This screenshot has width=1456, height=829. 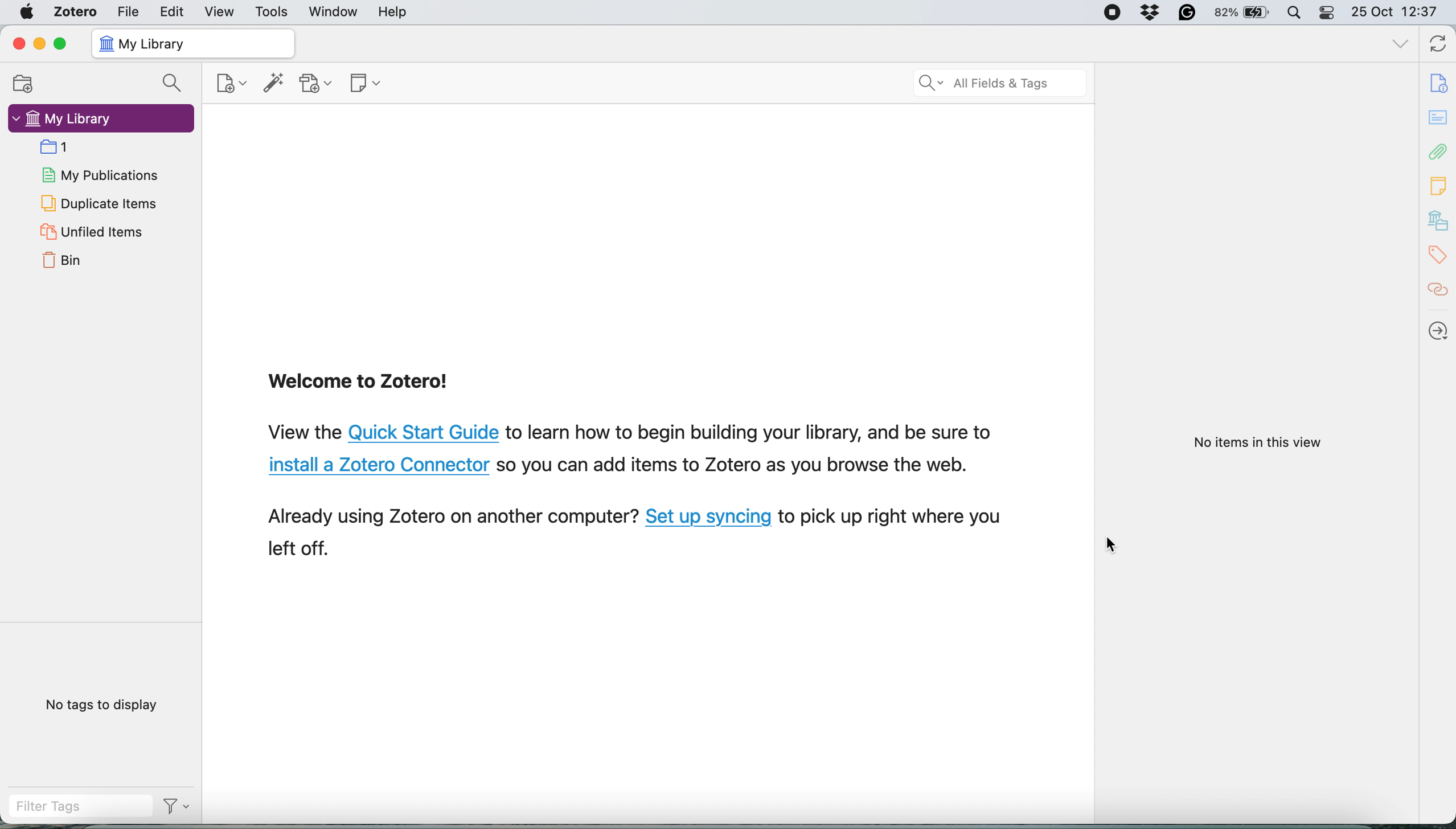 I want to click on edit, so click(x=173, y=11).